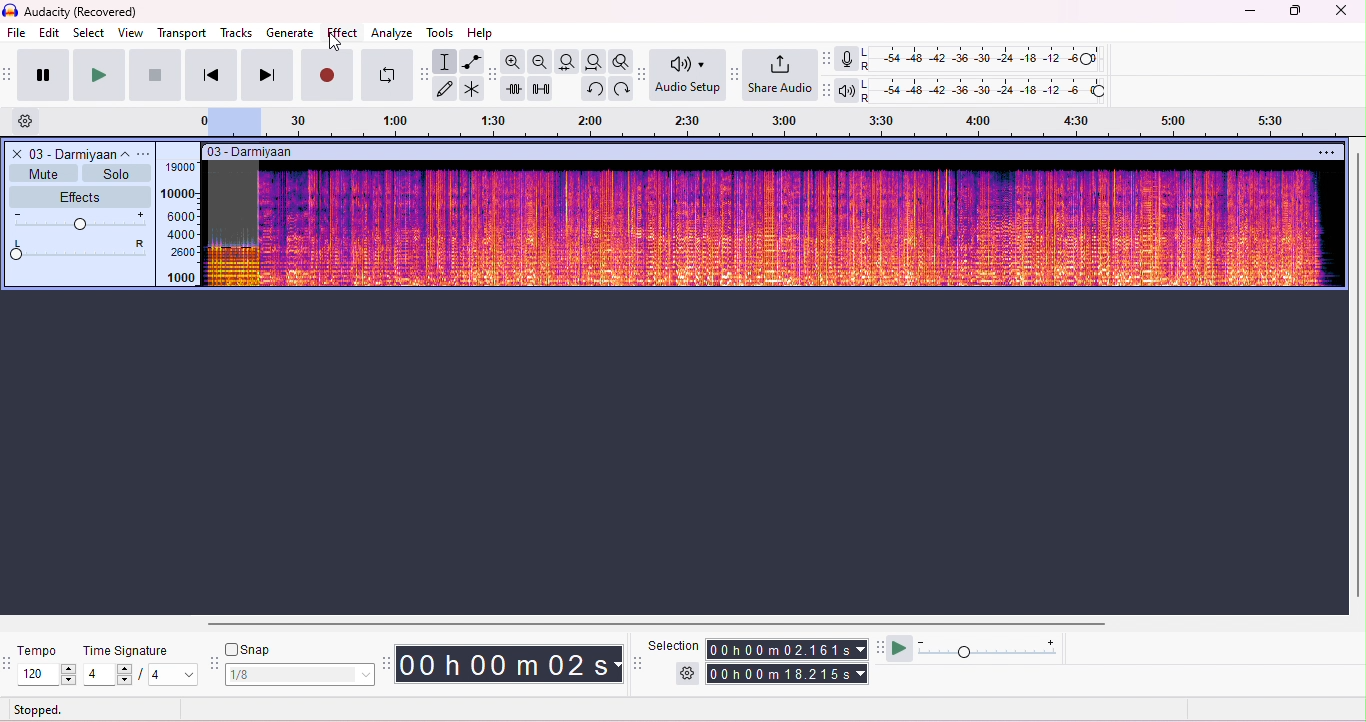 This screenshot has height=722, width=1366. Describe the element at coordinates (9, 77) in the screenshot. I see `transport toolbar` at that location.